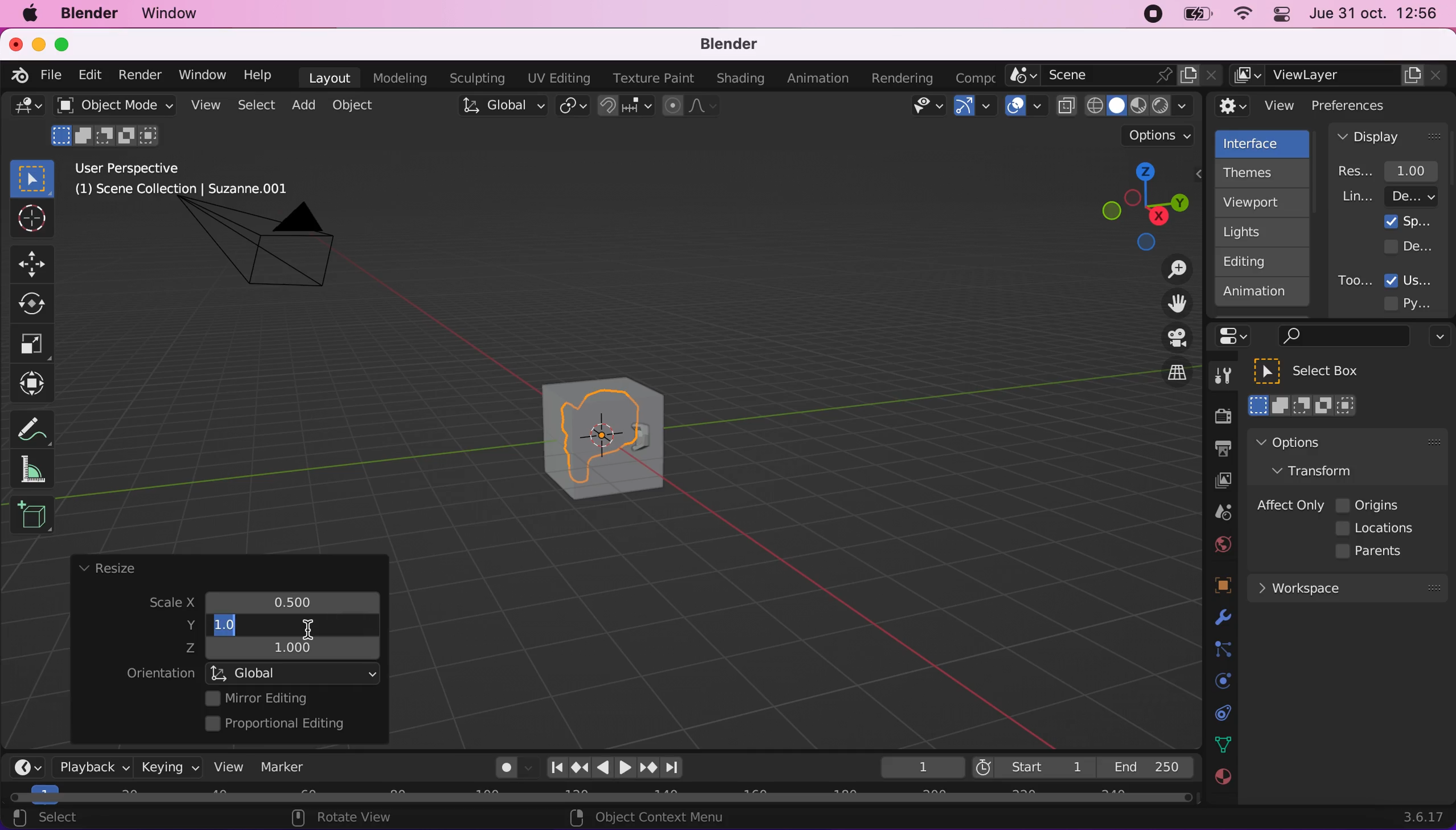 This screenshot has height=830, width=1456. Describe the element at coordinates (1216, 682) in the screenshot. I see `physics prompts` at that location.